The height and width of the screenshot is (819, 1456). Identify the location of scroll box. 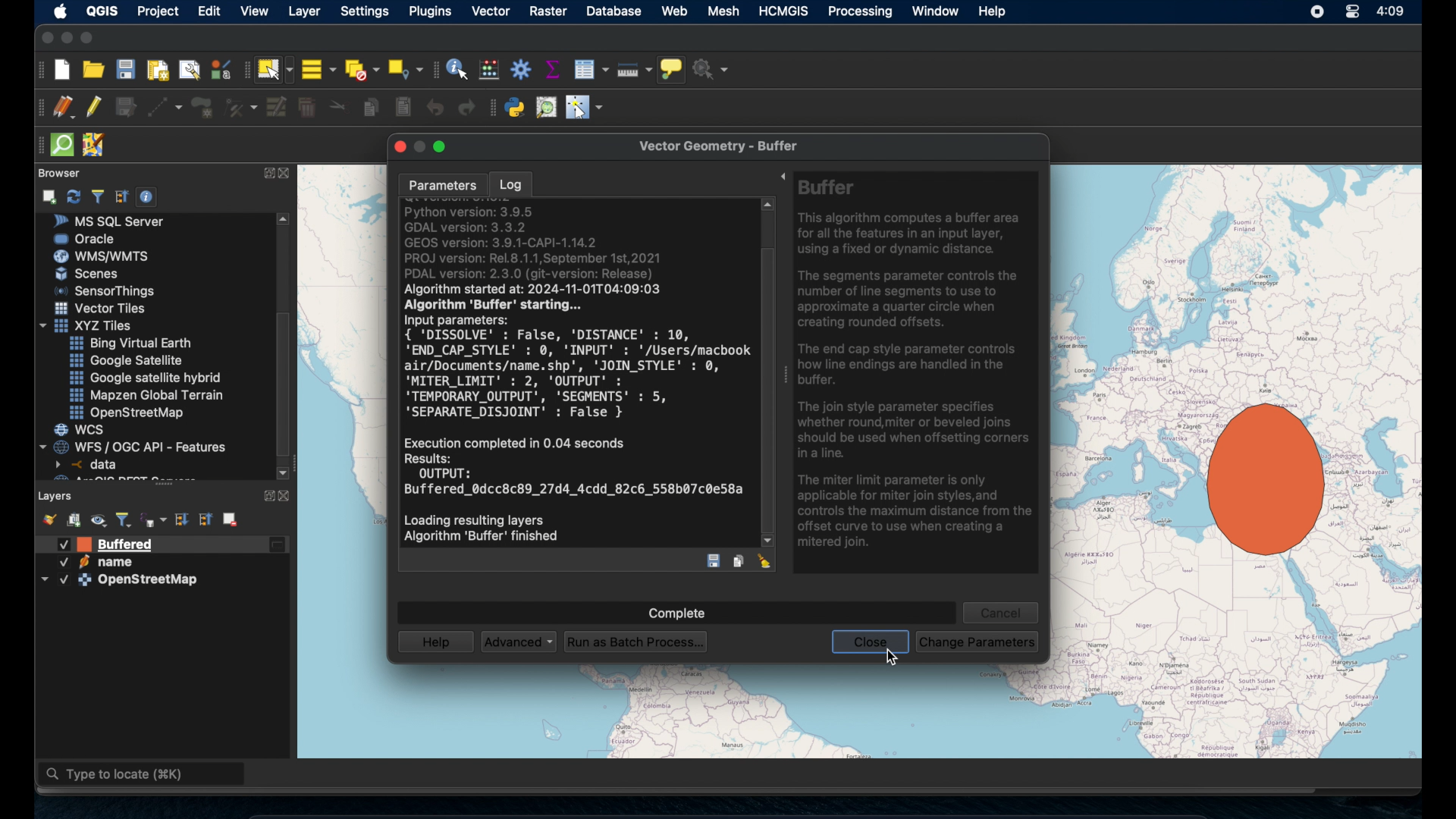
(287, 384).